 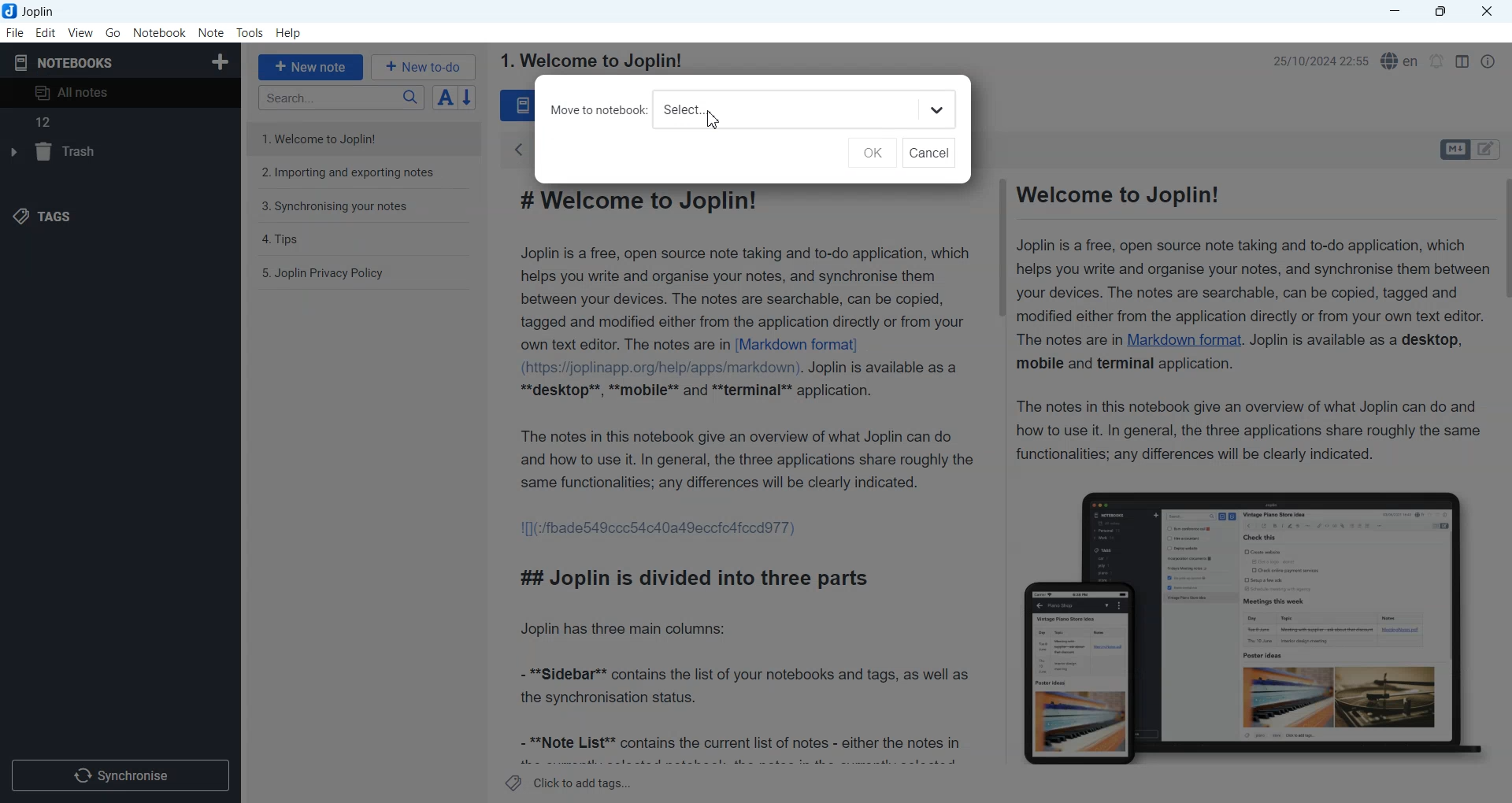 What do you see at coordinates (332, 138) in the screenshot?
I see `1. Welcome to Joplin!` at bounding box center [332, 138].